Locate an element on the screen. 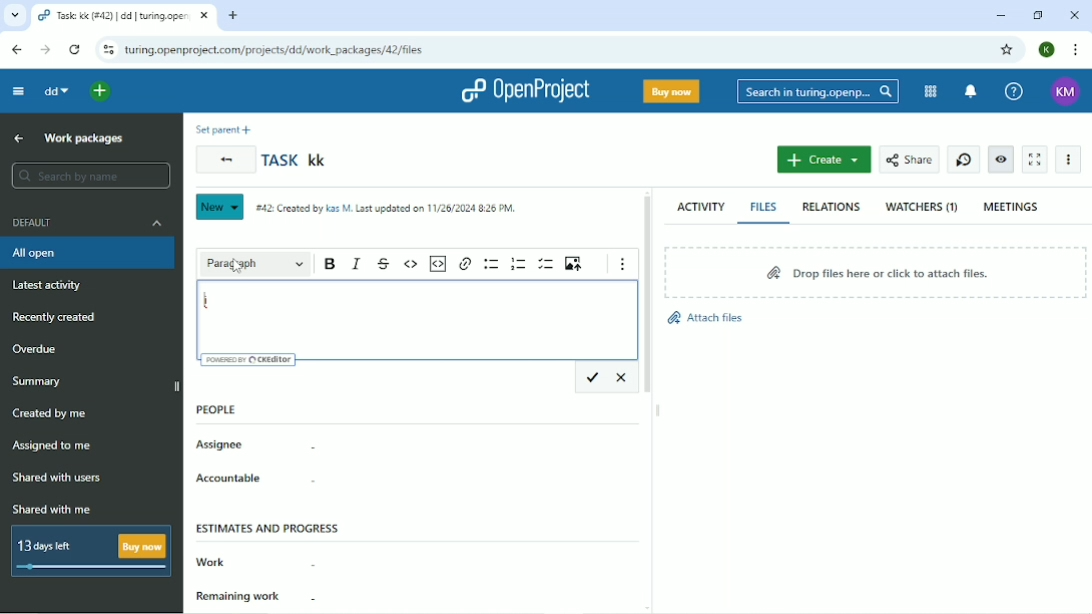  Buy now is located at coordinates (671, 90).